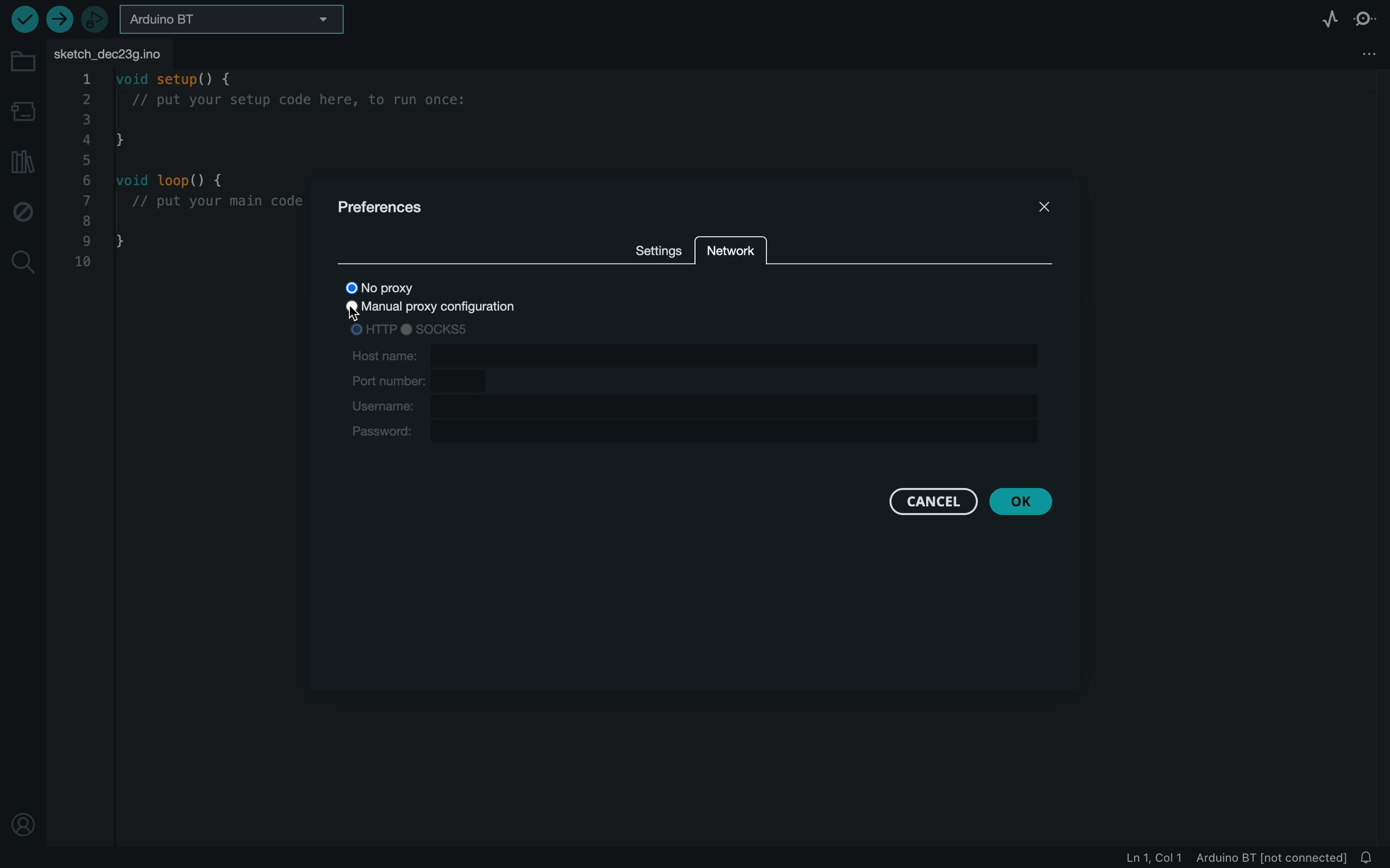 The height and width of the screenshot is (868, 1390). Describe the element at coordinates (25, 820) in the screenshot. I see `profile` at that location.